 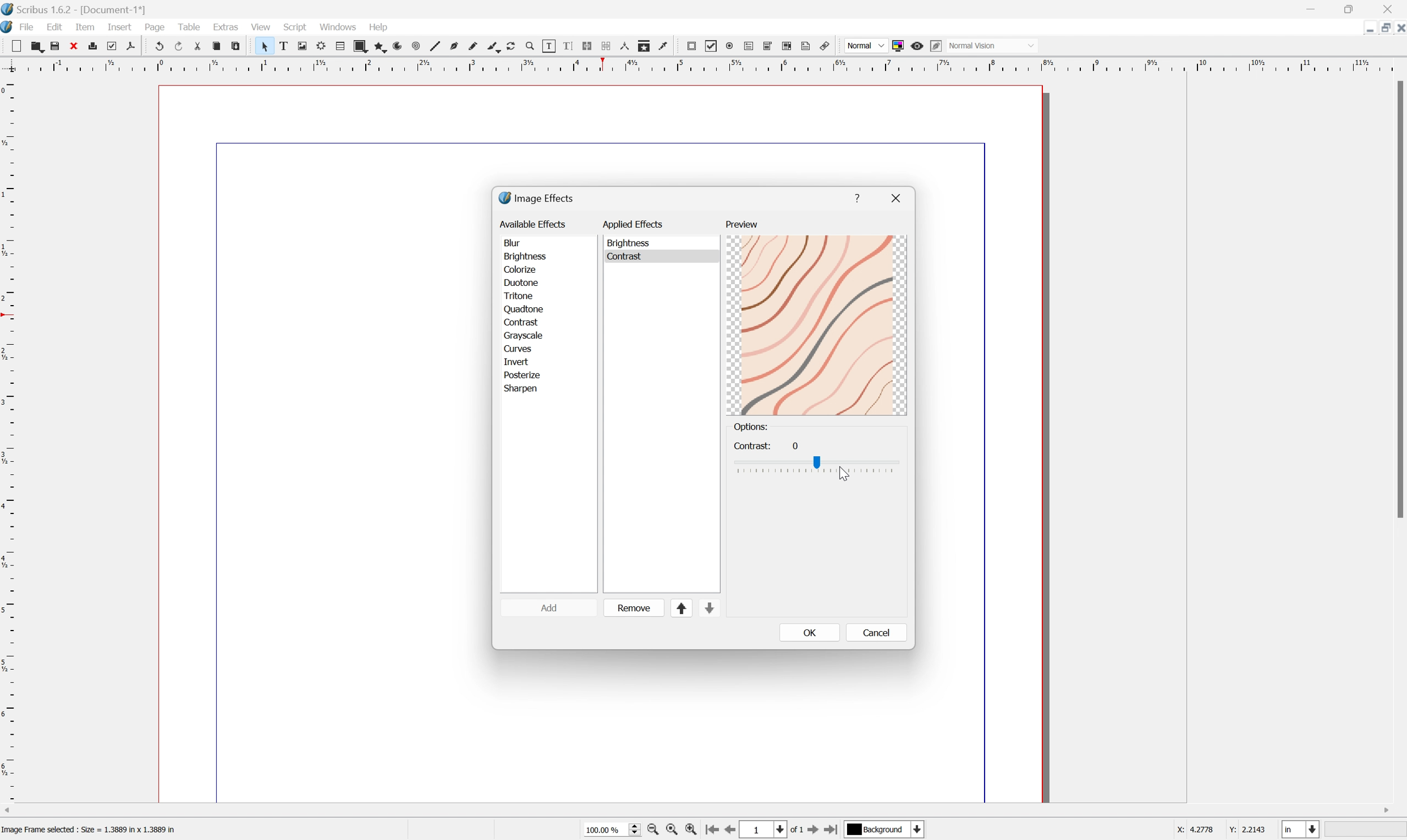 I want to click on 1 of 1, so click(x=775, y=829).